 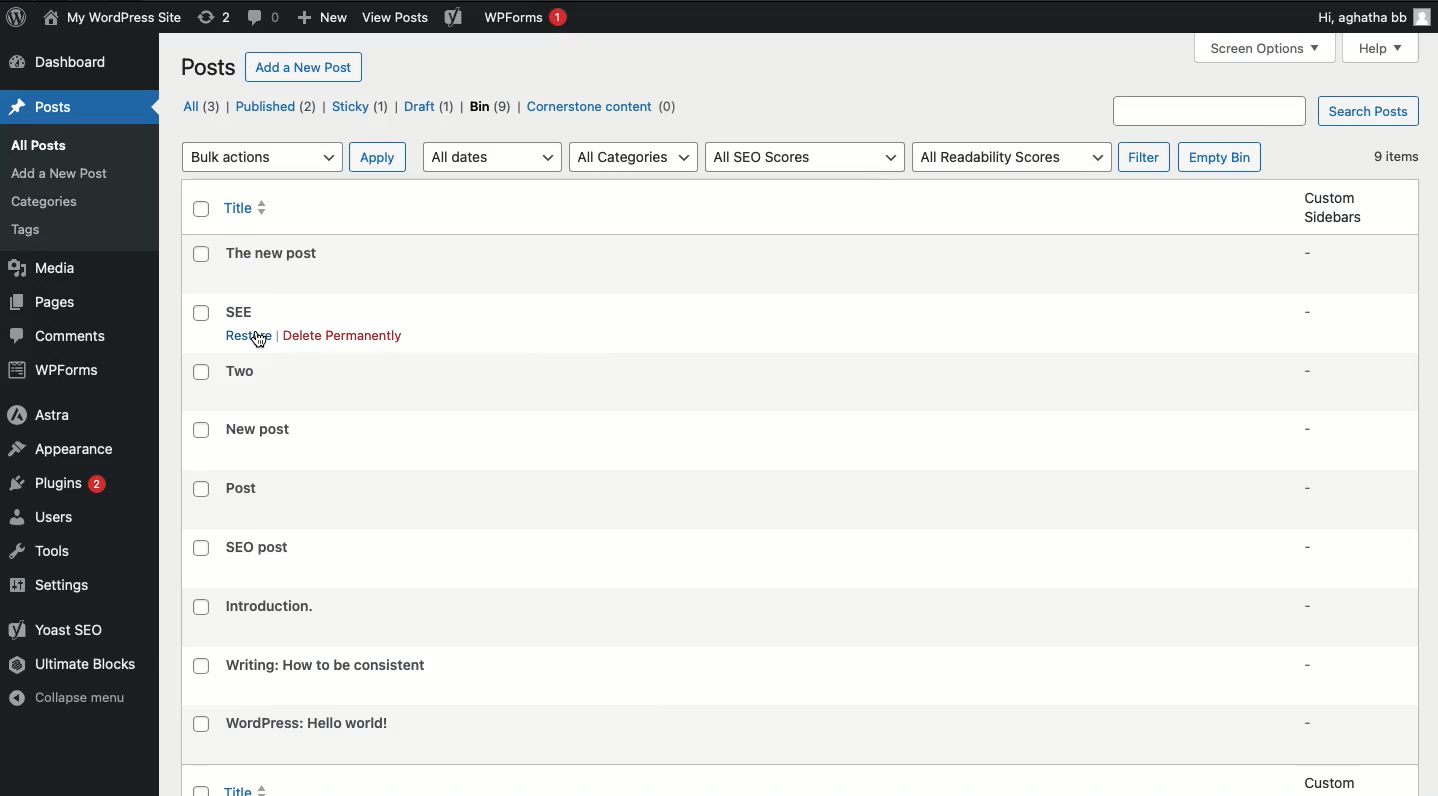 What do you see at coordinates (239, 310) in the screenshot?
I see `Title` at bounding box center [239, 310].